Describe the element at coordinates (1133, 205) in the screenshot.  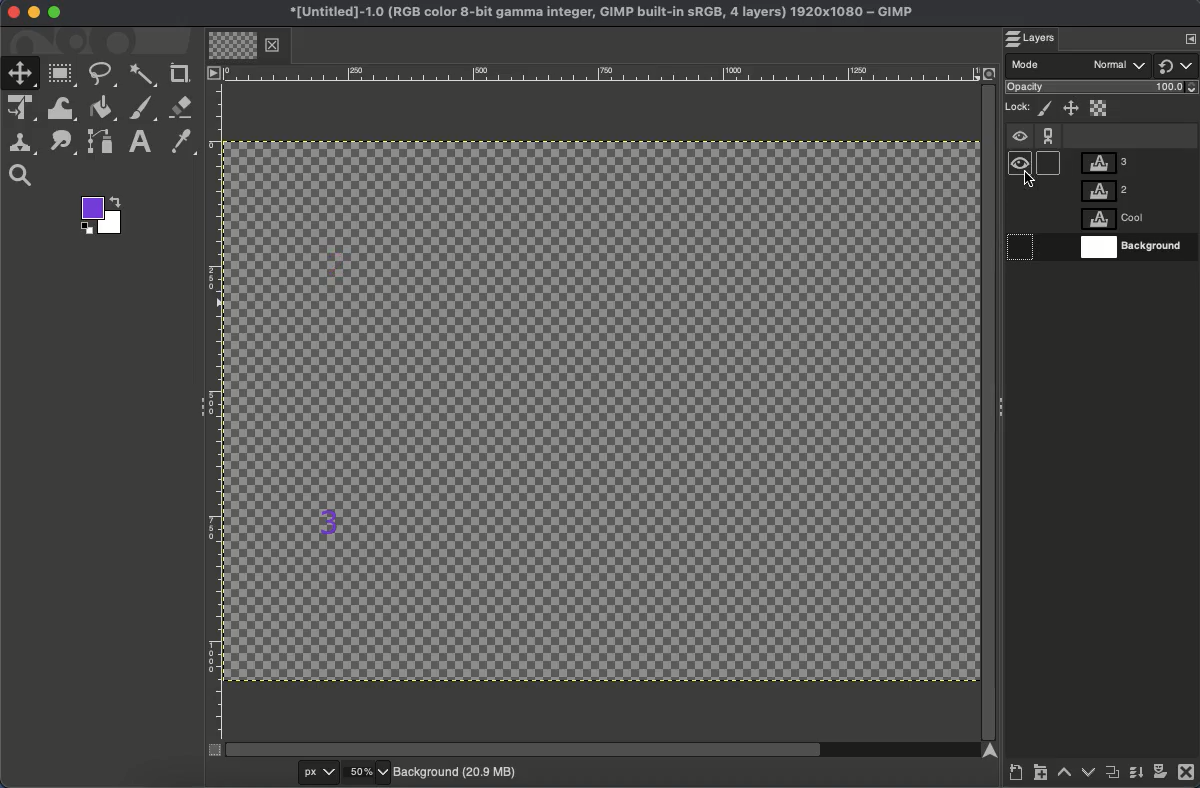
I see `Layers` at that location.